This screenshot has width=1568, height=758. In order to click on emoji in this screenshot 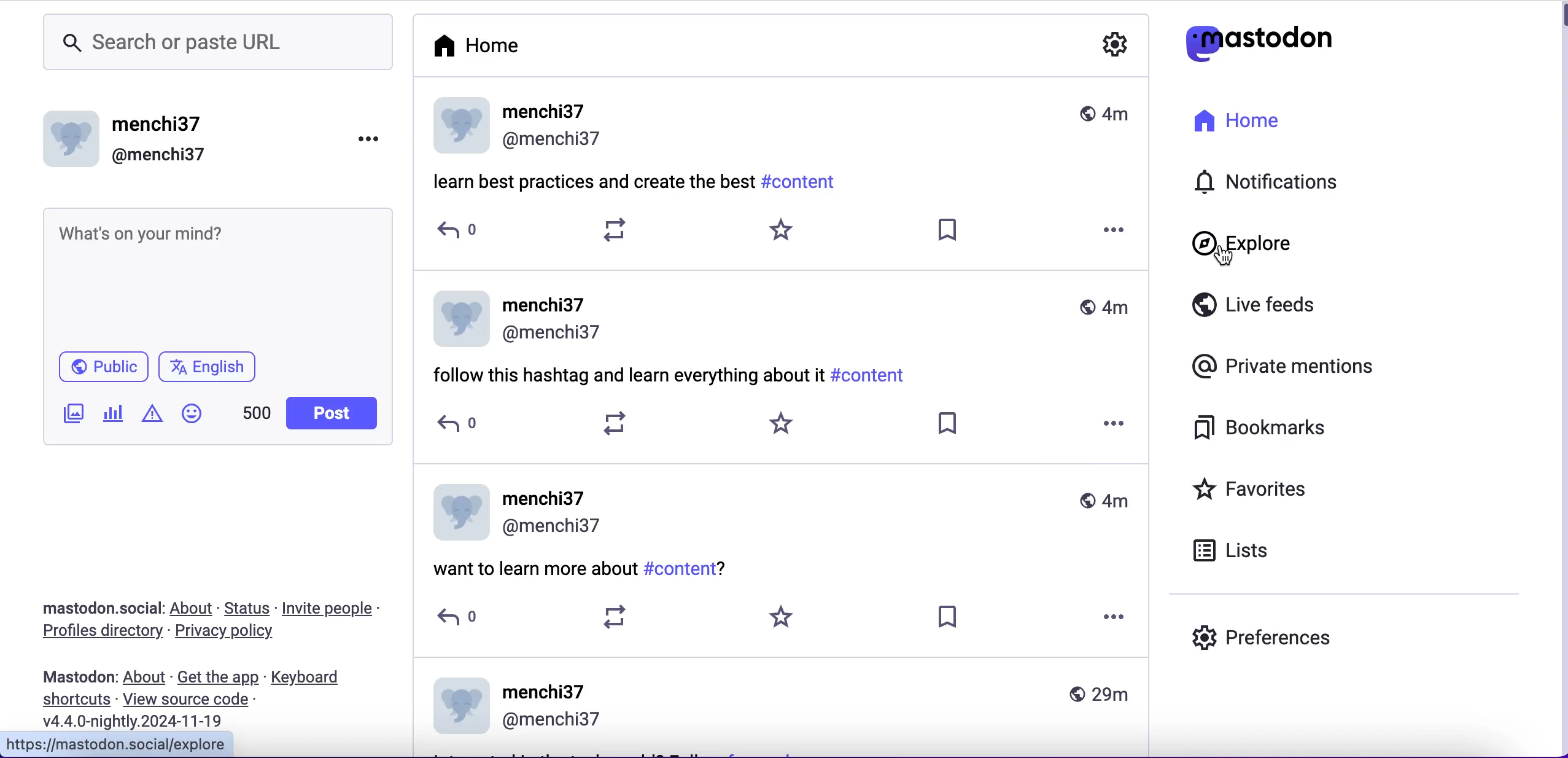, I will do `click(196, 414)`.